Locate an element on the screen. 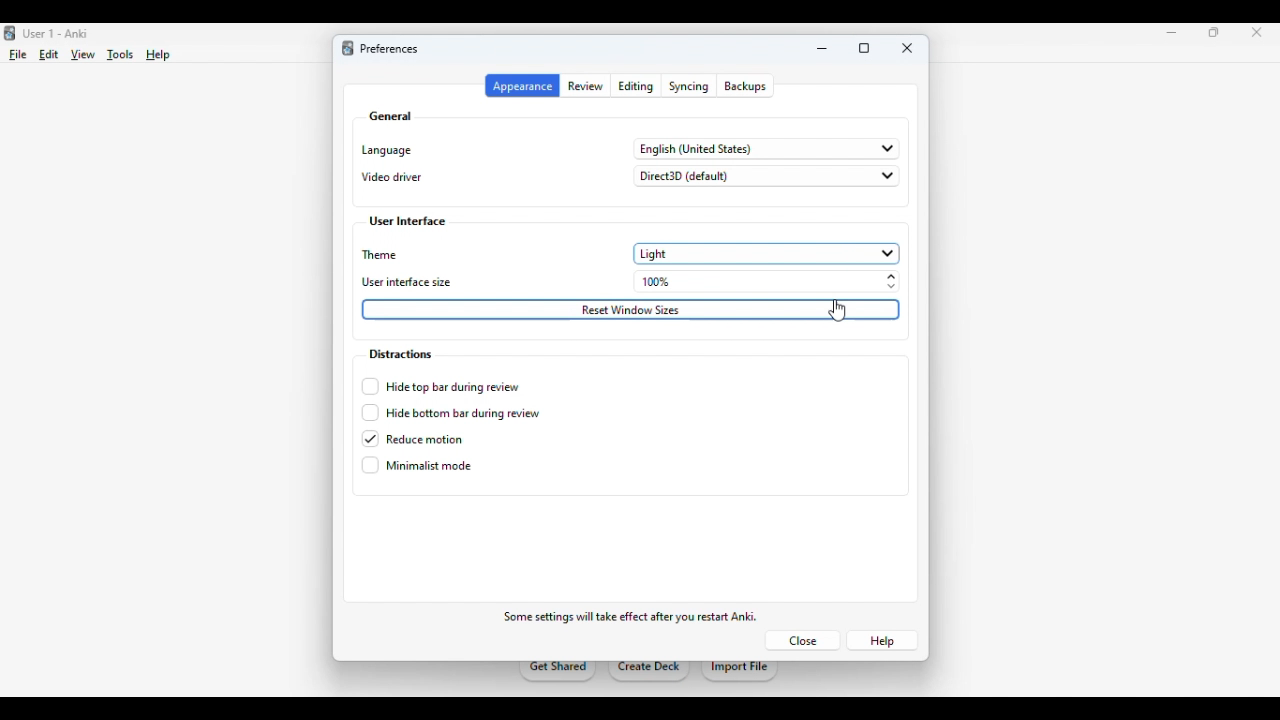 The image size is (1280, 720). general is located at coordinates (390, 116).